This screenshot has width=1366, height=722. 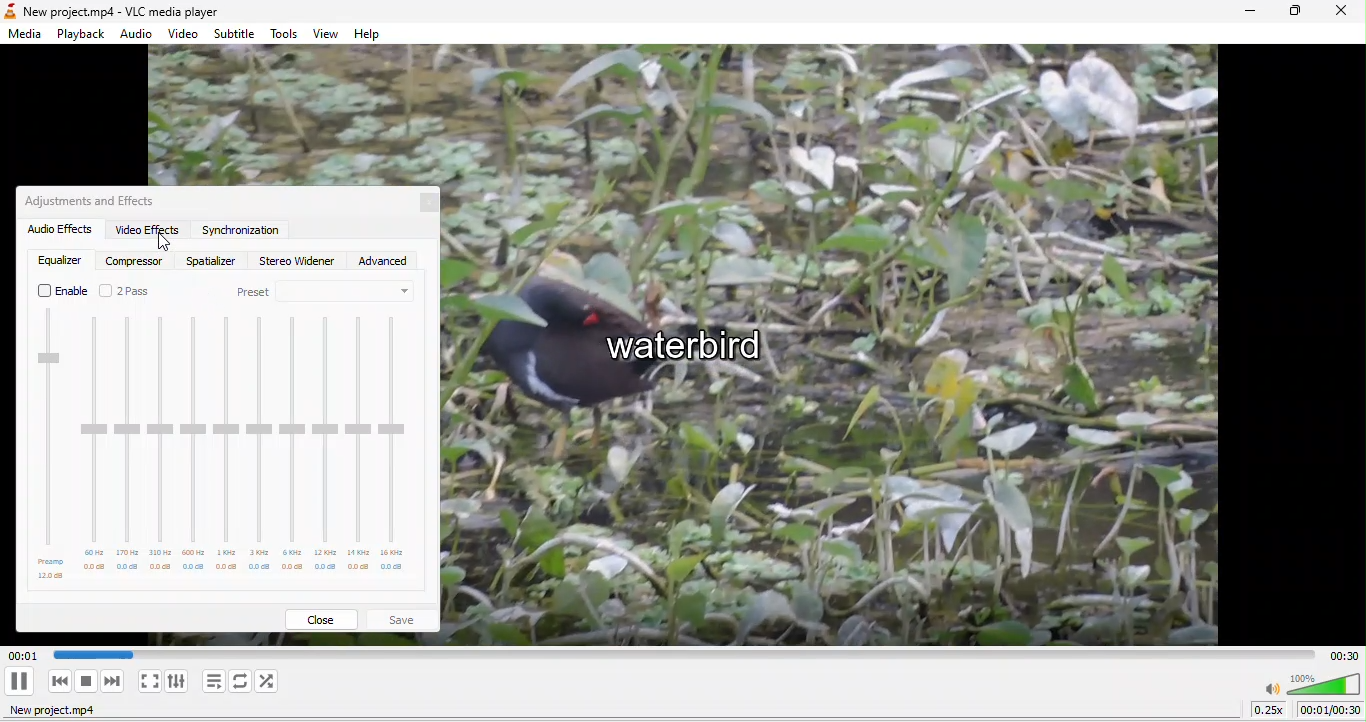 I want to click on 60hz volume bar, so click(x=93, y=444).